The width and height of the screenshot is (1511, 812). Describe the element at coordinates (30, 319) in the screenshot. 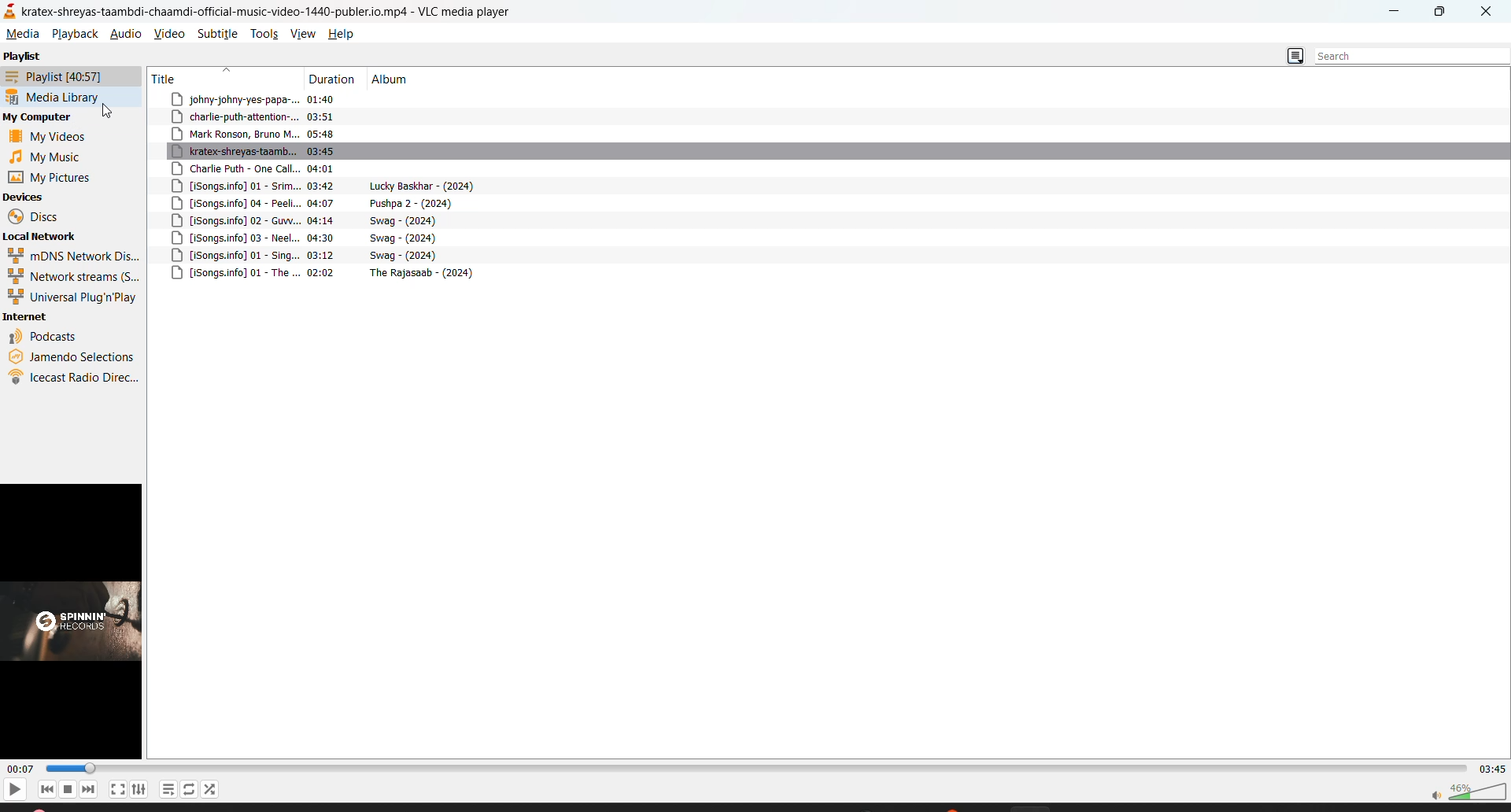

I see `internet` at that location.